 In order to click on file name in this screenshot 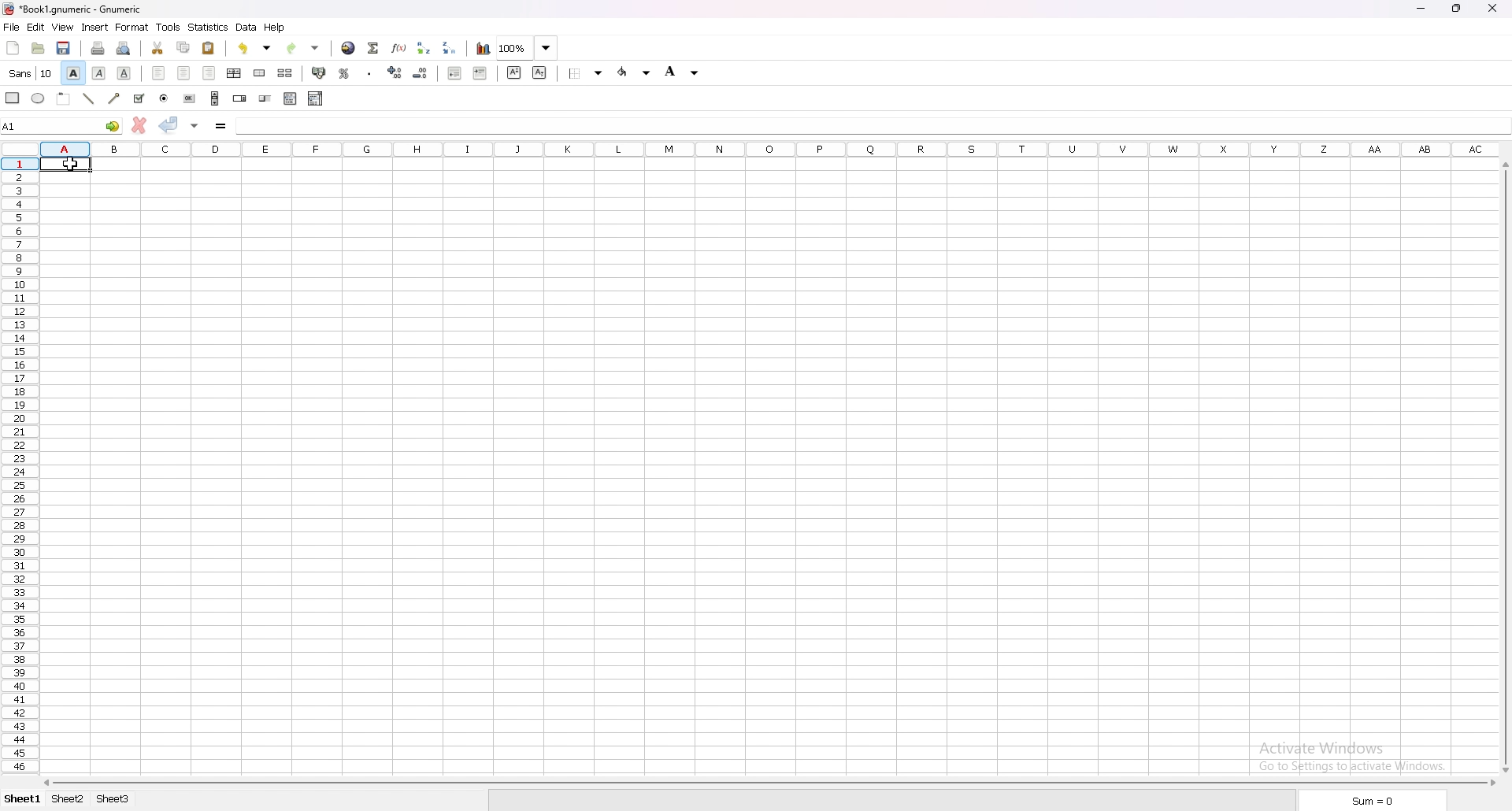, I will do `click(72, 9)`.